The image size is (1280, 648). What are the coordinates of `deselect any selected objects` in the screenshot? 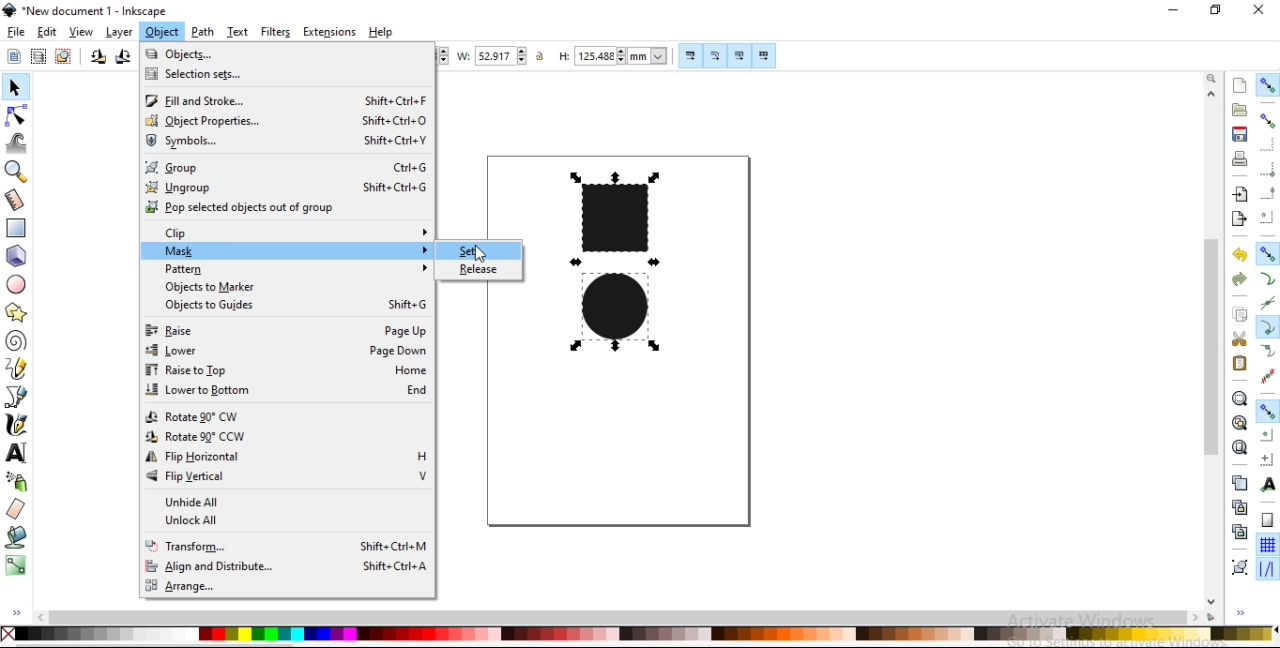 It's located at (66, 57).